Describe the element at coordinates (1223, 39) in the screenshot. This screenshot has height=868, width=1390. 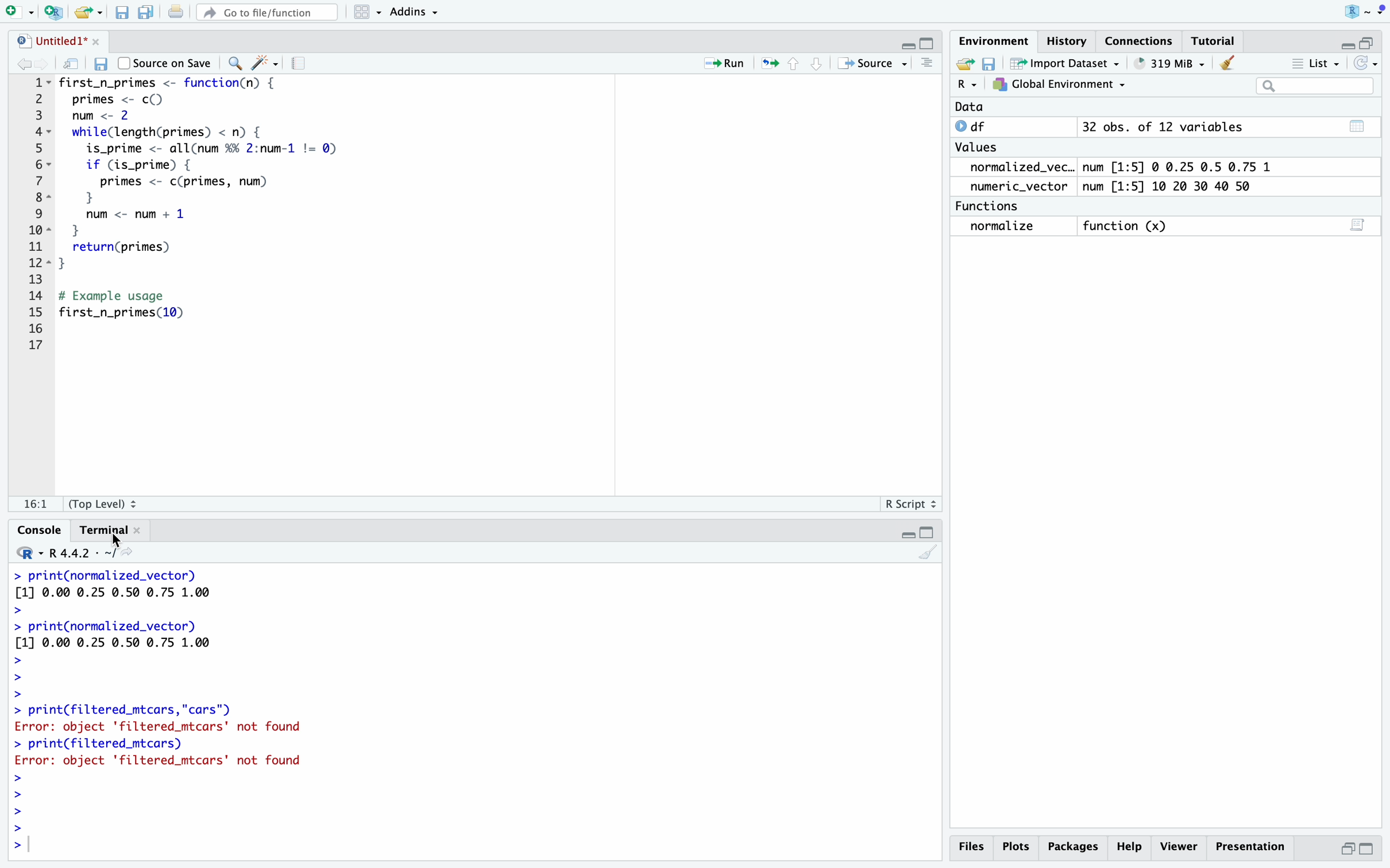
I see `Tutorial` at that location.